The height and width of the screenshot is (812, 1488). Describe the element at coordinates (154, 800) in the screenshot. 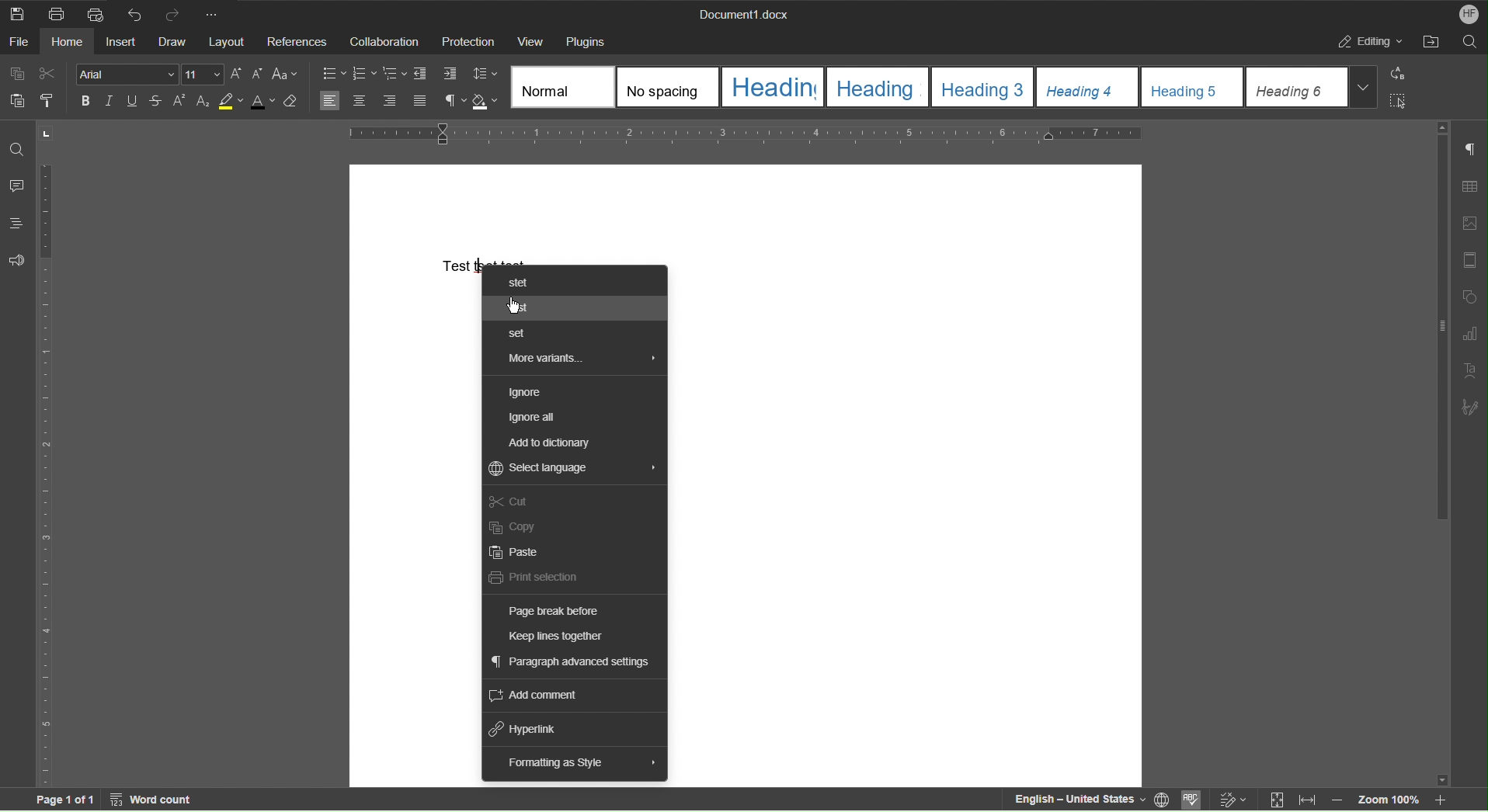

I see `Word count` at that location.